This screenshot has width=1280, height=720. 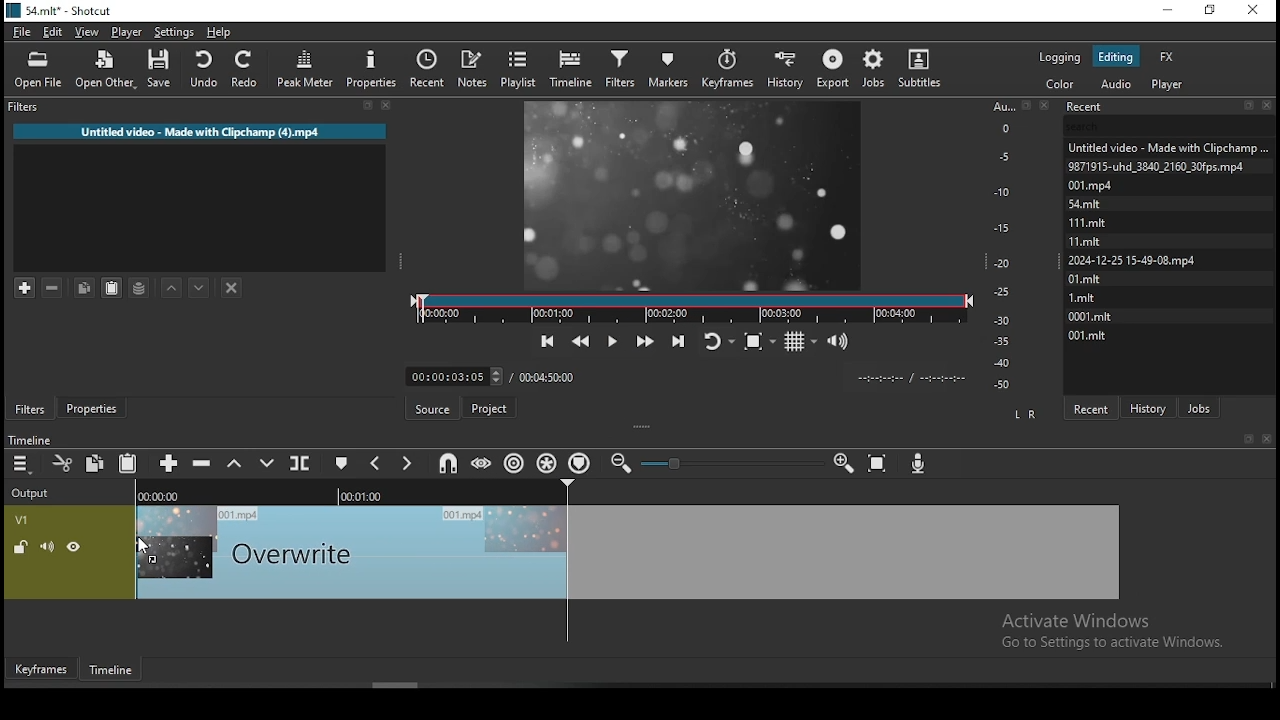 I want to click on peak meter, so click(x=305, y=72).